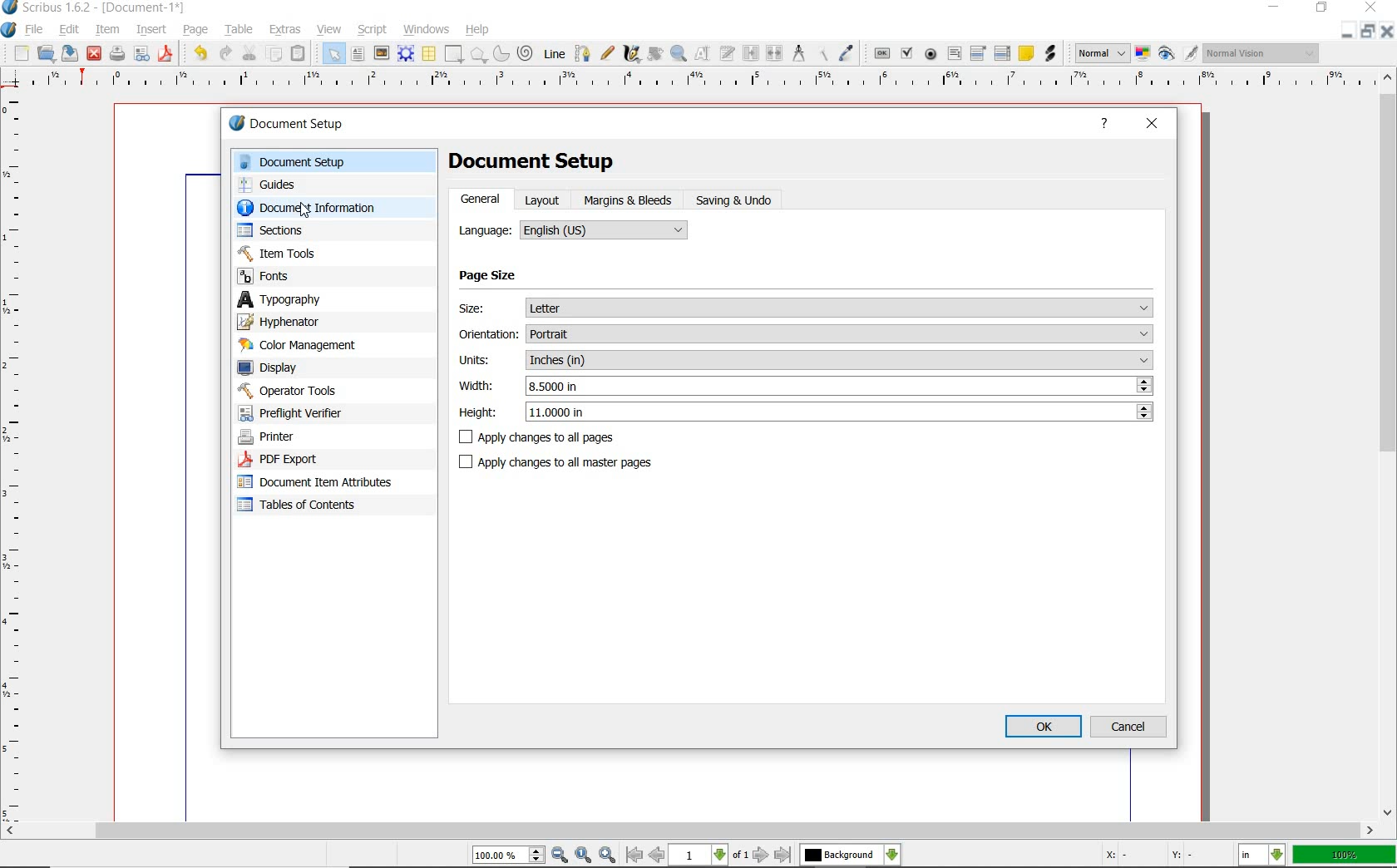 The width and height of the screenshot is (1397, 868). What do you see at coordinates (606, 52) in the screenshot?
I see `freehand line` at bounding box center [606, 52].